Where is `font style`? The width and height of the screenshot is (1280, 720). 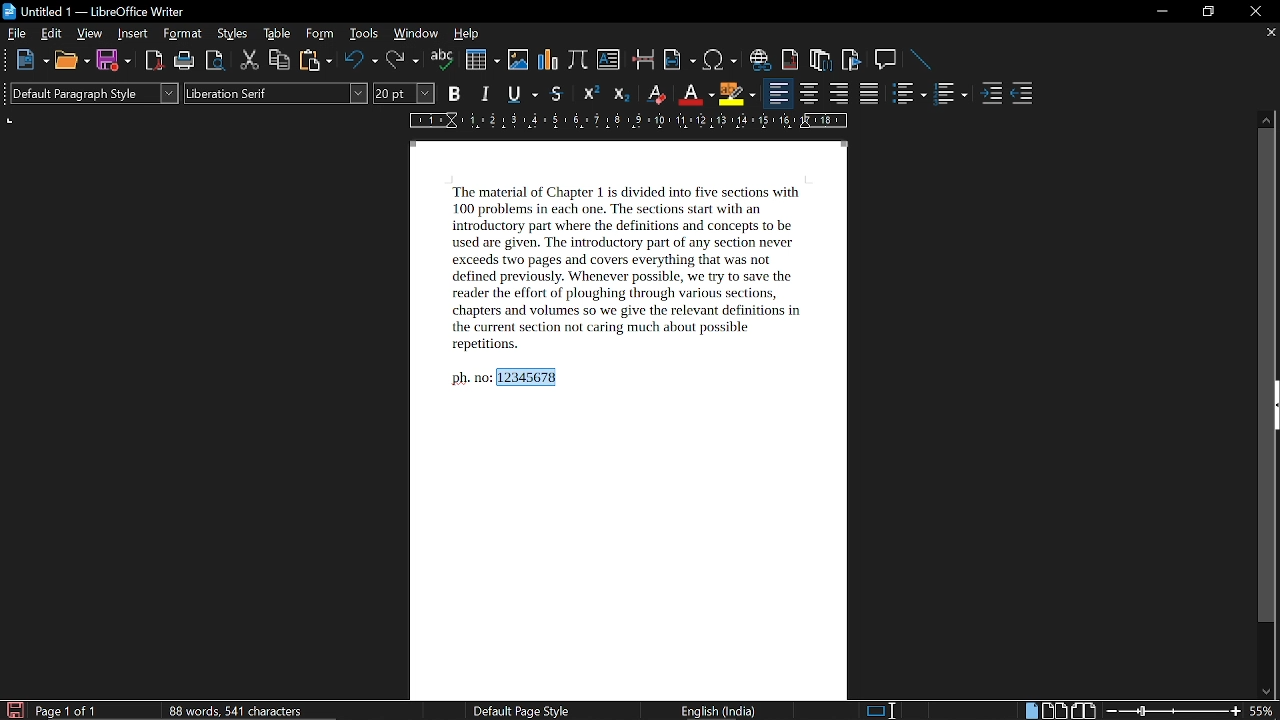 font style is located at coordinates (276, 93).